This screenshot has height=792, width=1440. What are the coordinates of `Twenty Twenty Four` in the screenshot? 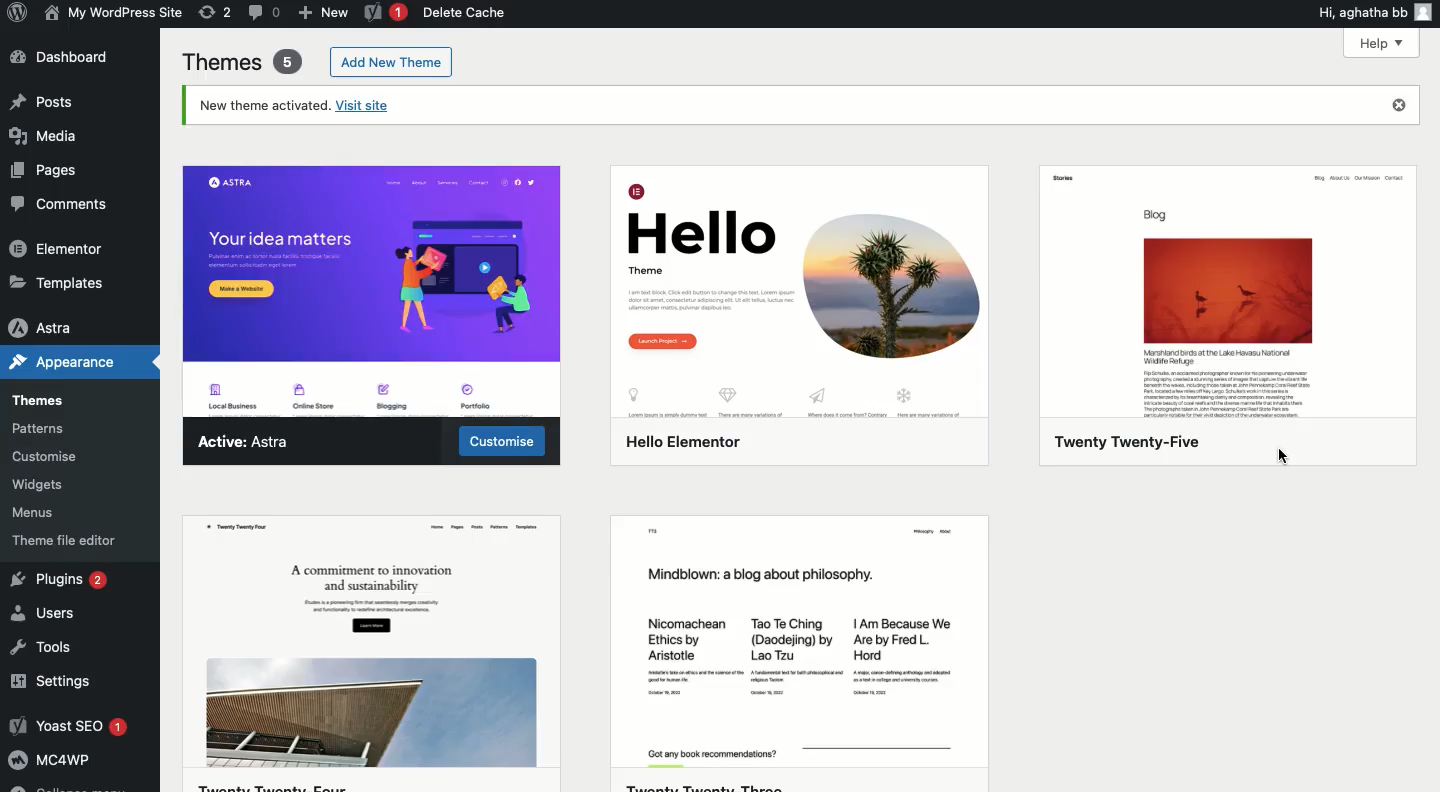 It's located at (376, 655).